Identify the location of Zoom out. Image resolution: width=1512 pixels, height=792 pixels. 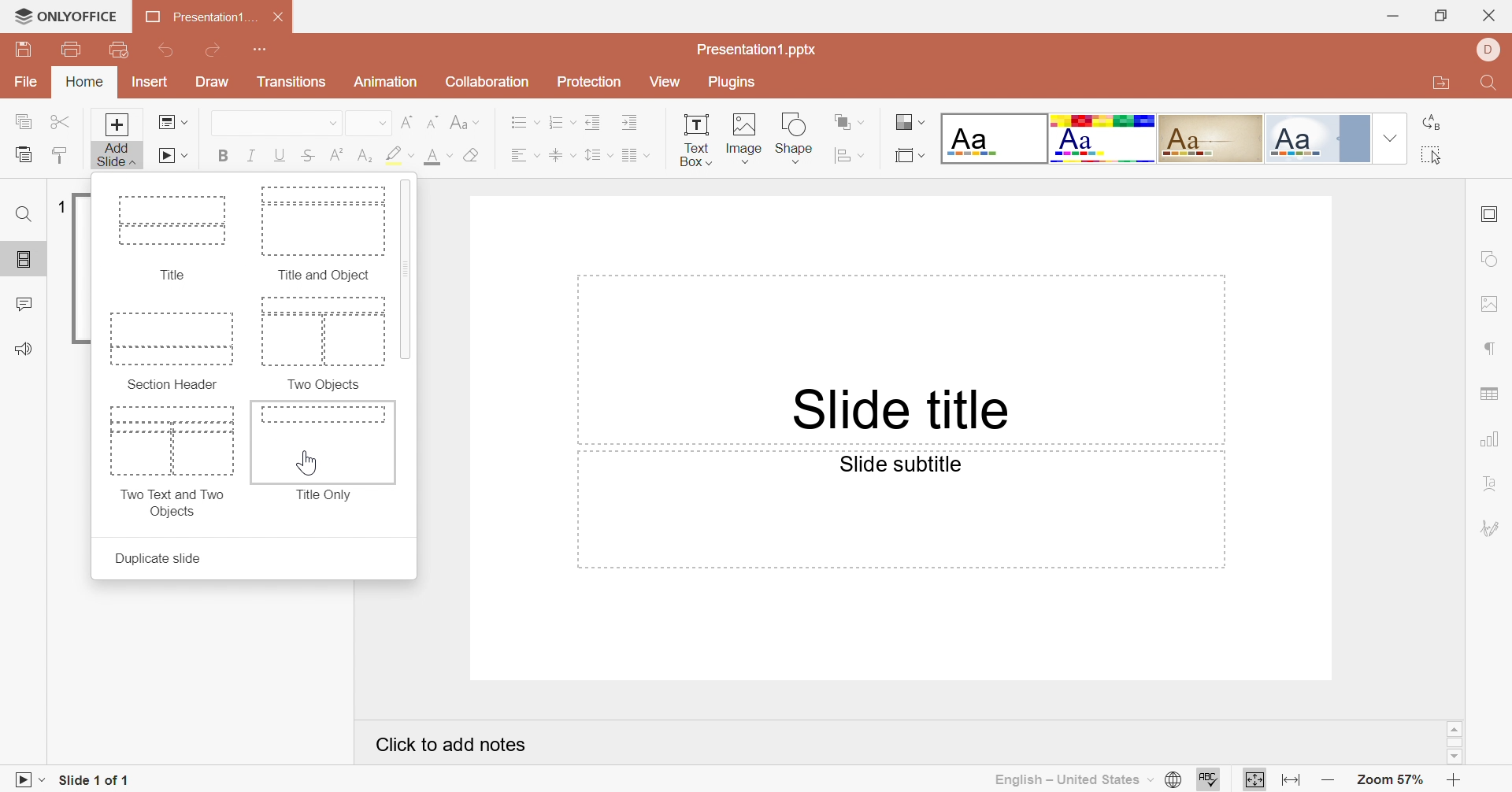
(1328, 781).